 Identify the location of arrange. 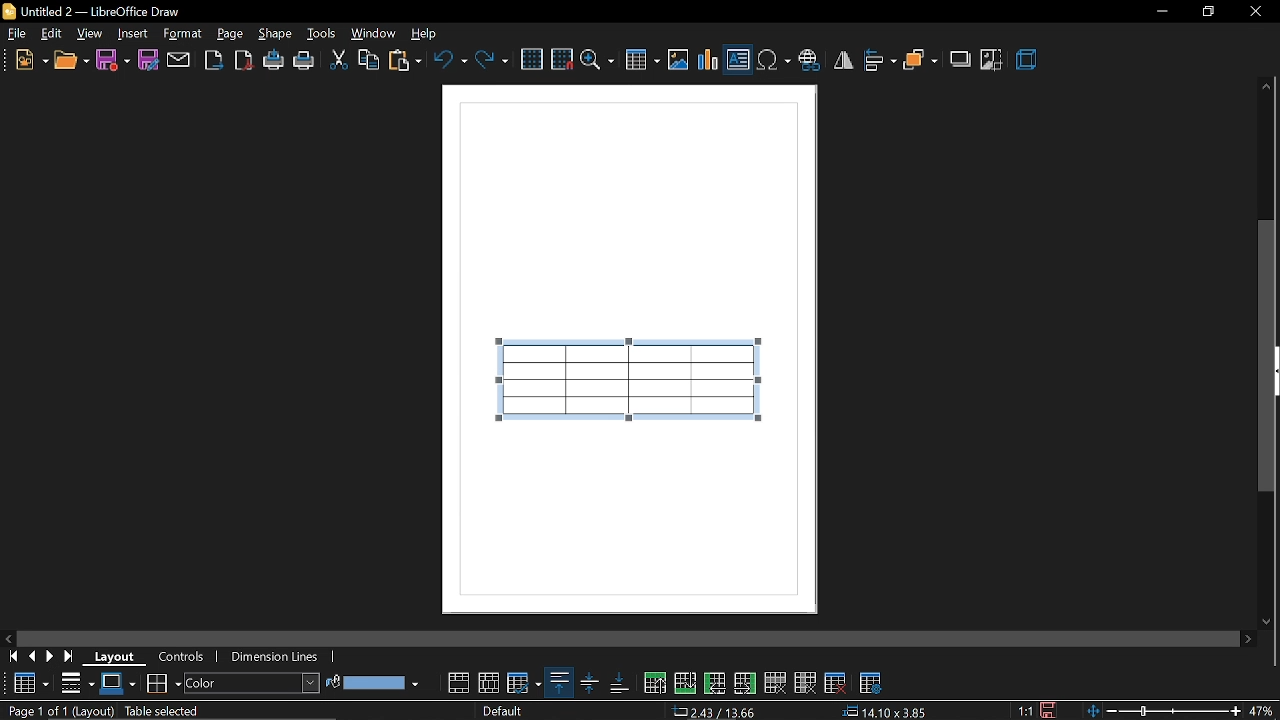
(920, 57).